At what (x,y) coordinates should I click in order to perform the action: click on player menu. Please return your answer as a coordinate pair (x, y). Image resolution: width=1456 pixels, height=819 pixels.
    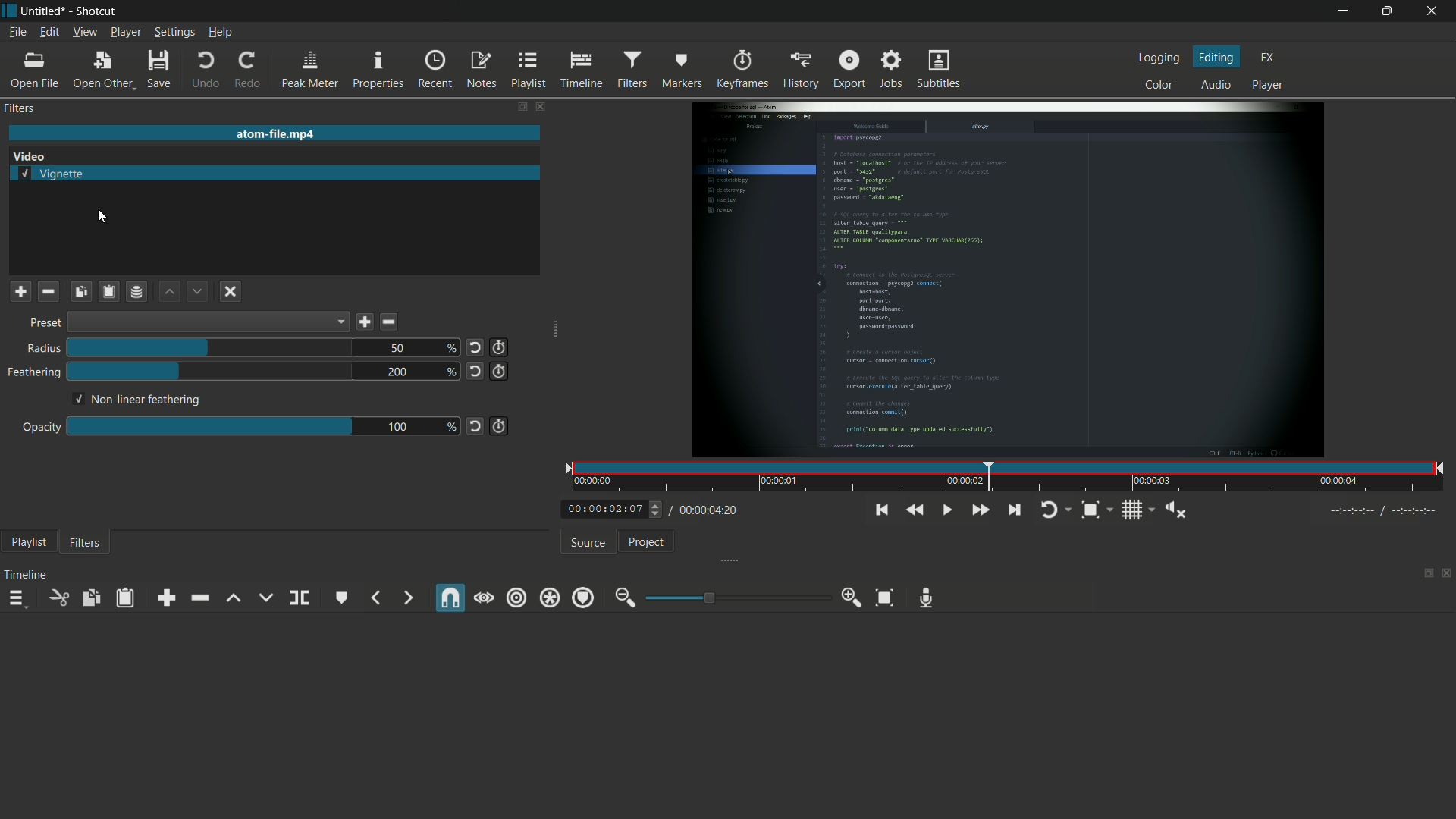
    Looking at the image, I should click on (126, 32).